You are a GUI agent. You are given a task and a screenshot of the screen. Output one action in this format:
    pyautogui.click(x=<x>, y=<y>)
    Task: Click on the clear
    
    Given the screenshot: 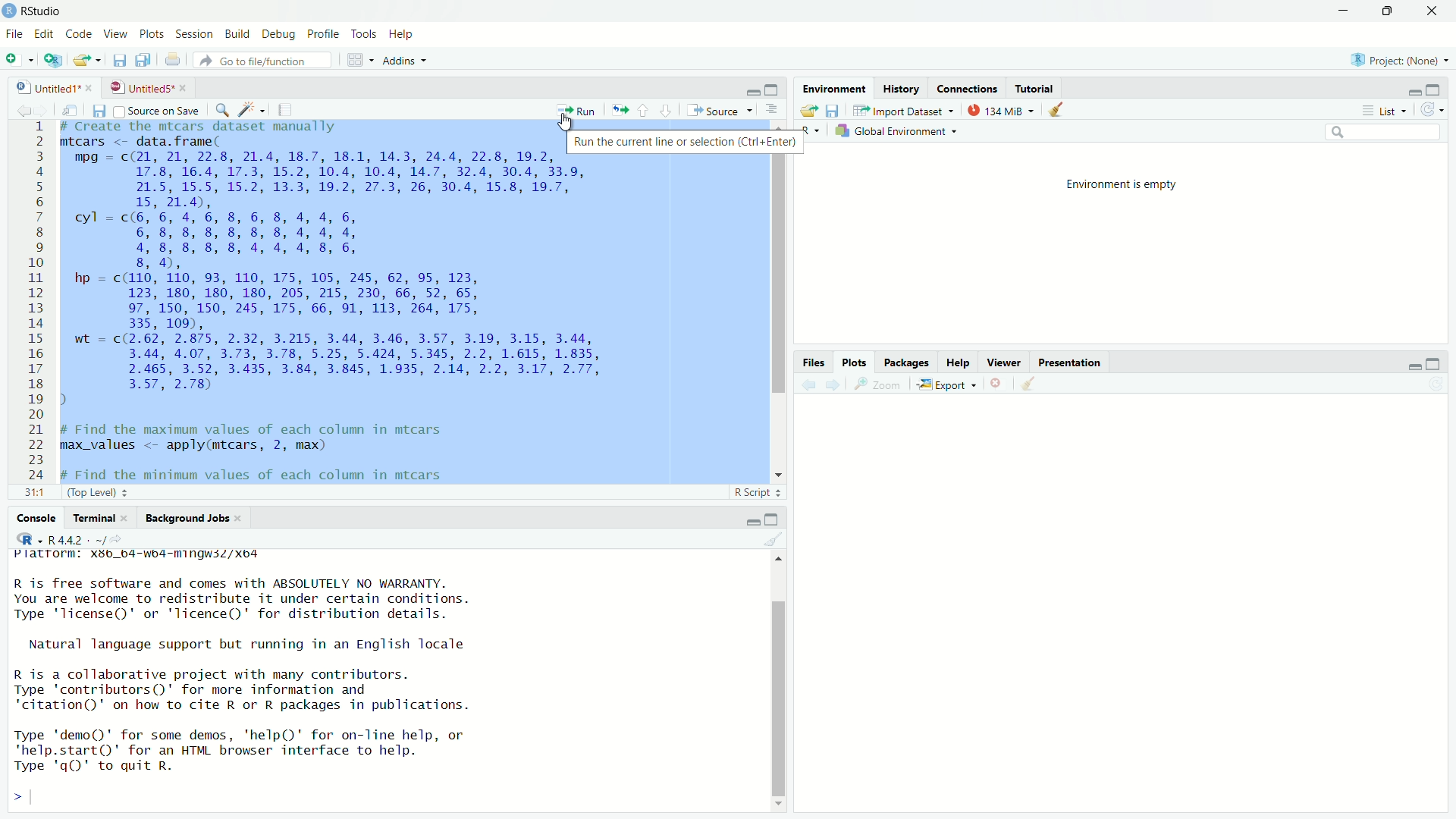 What is the action you would take?
    pyautogui.click(x=771, y=541)
    